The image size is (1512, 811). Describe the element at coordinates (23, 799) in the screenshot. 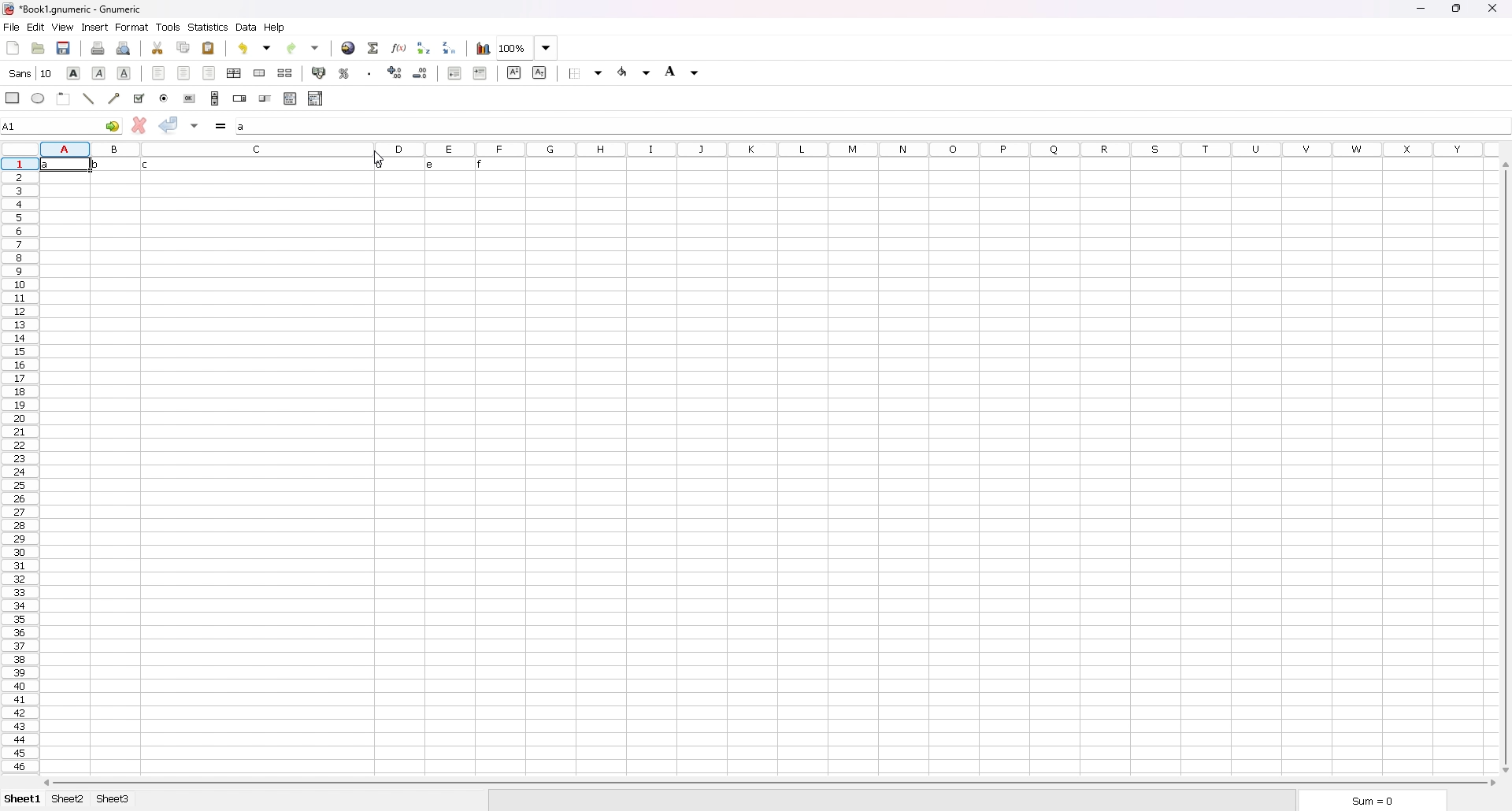

I see `sheet 1` at that location.